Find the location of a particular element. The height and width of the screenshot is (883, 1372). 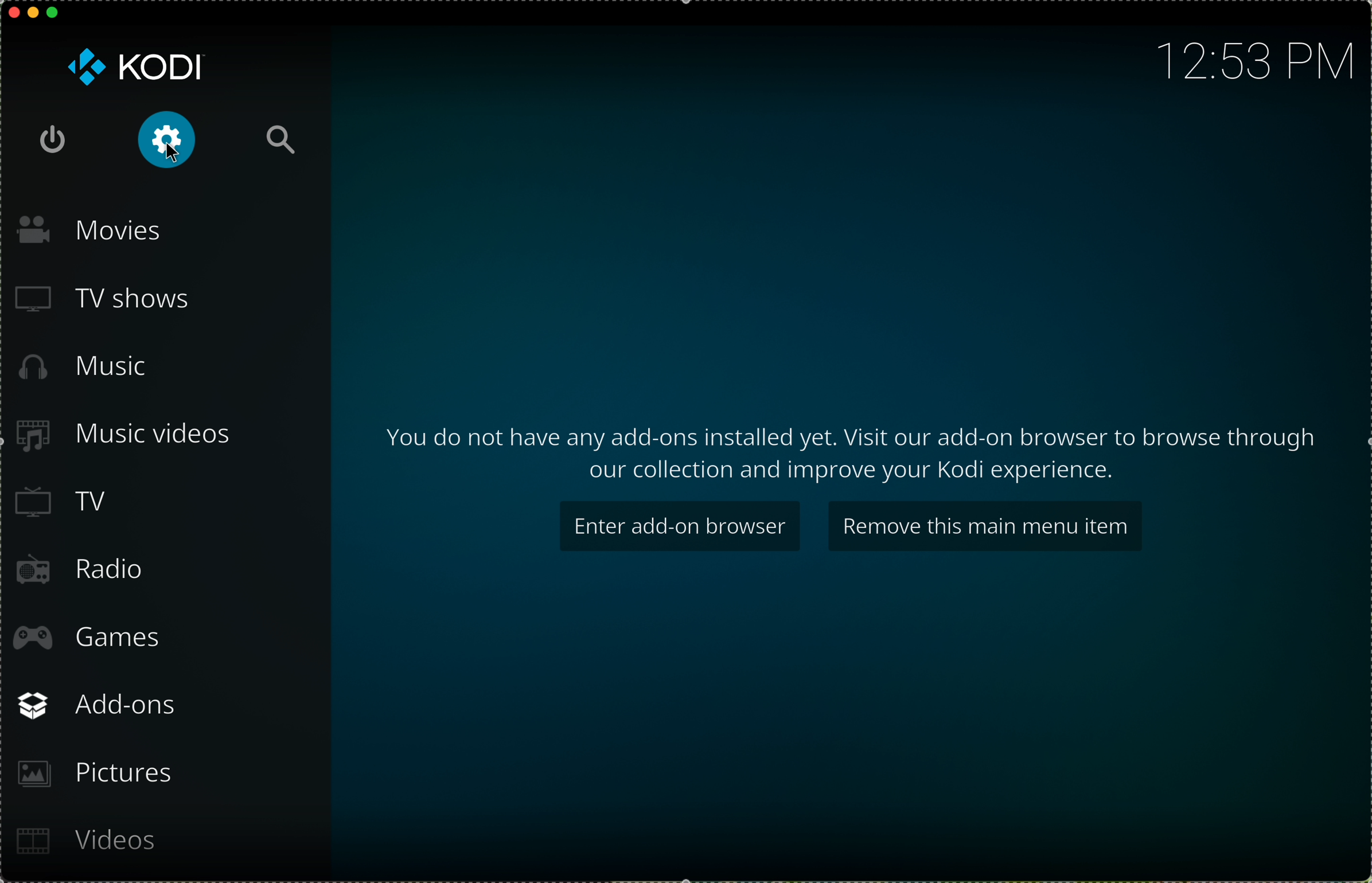

music videos is located at coordinates (133, 435).